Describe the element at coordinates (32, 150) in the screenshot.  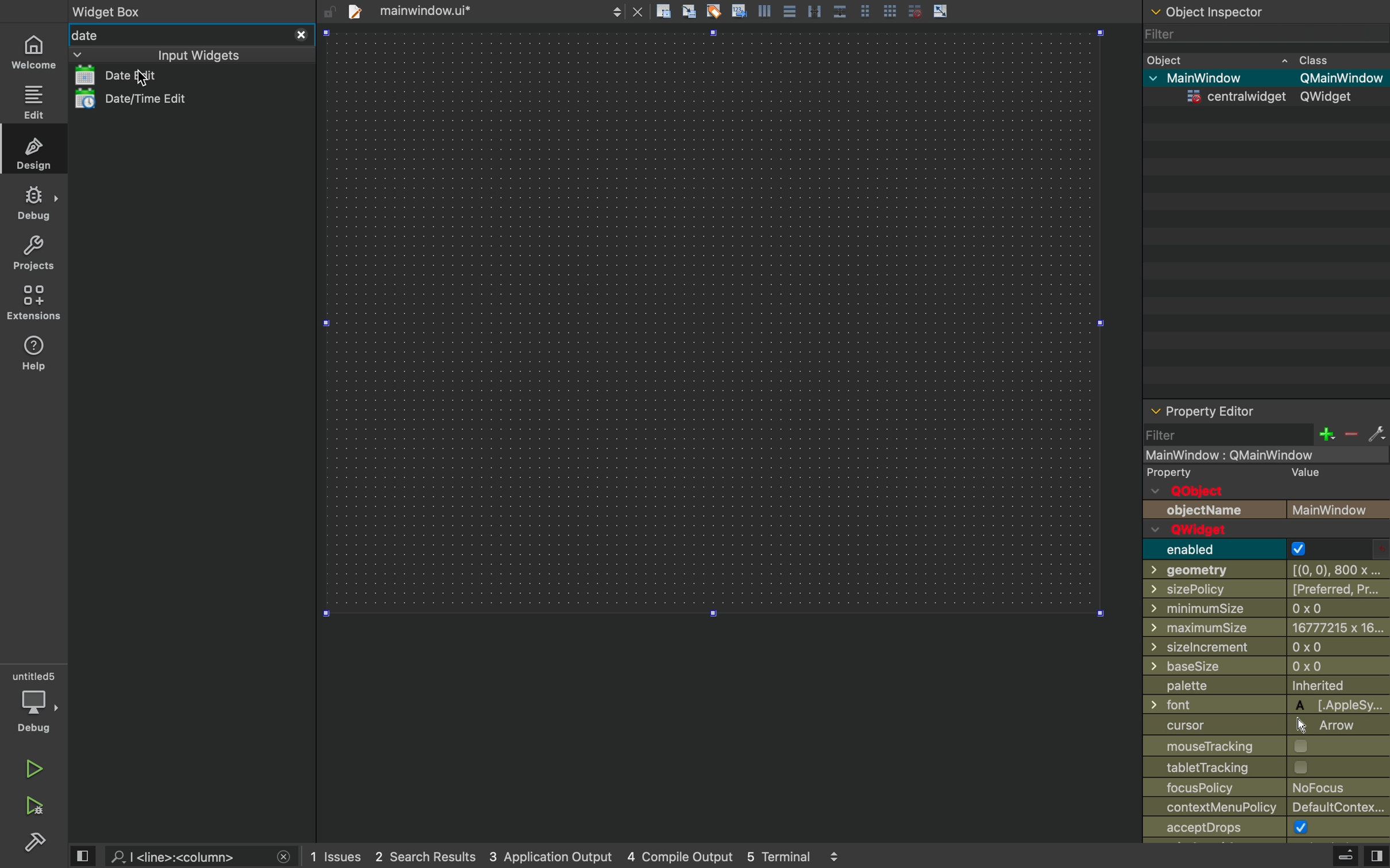
I see `design` at that location.